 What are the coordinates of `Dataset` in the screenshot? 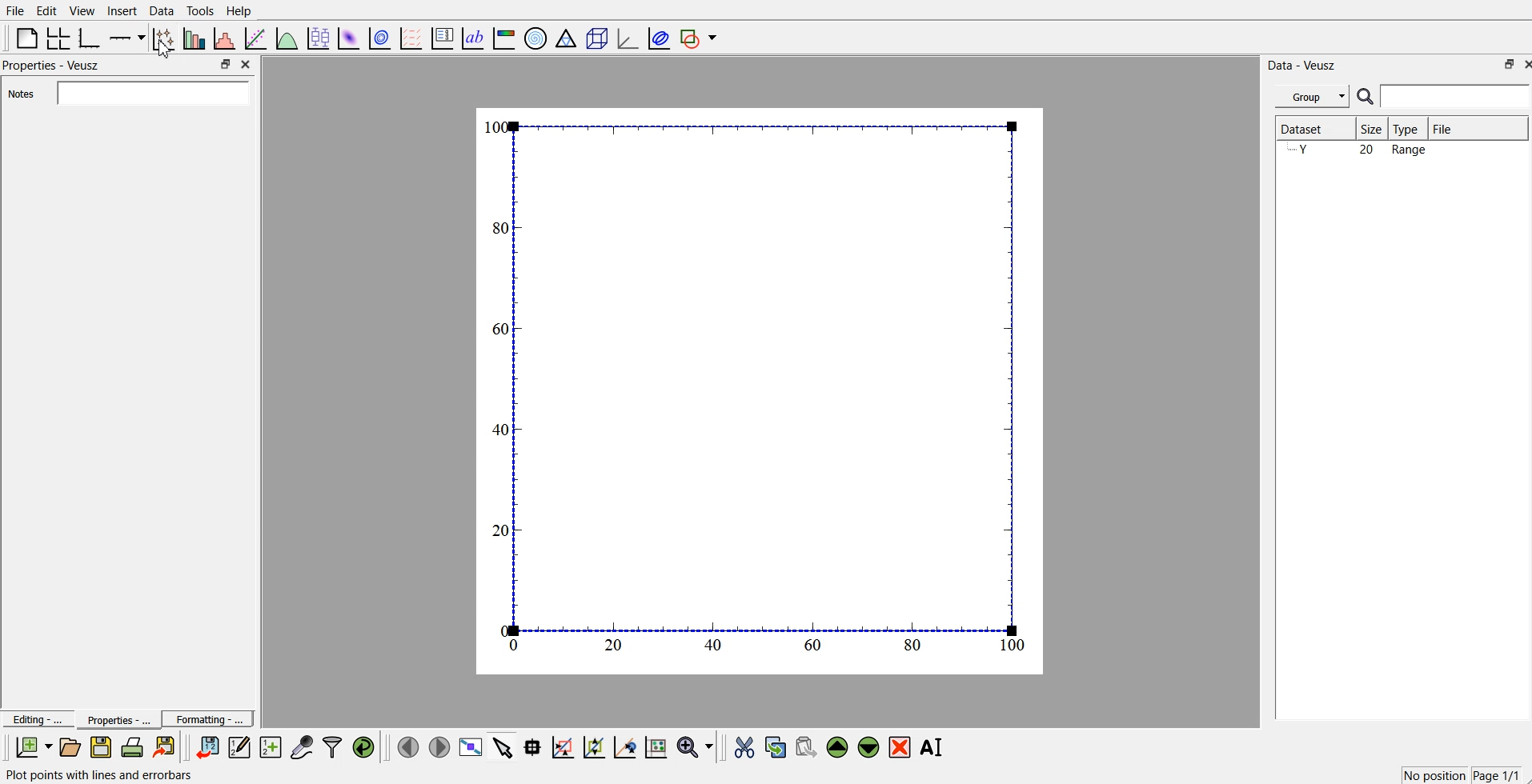 It's located at (1312, 129).